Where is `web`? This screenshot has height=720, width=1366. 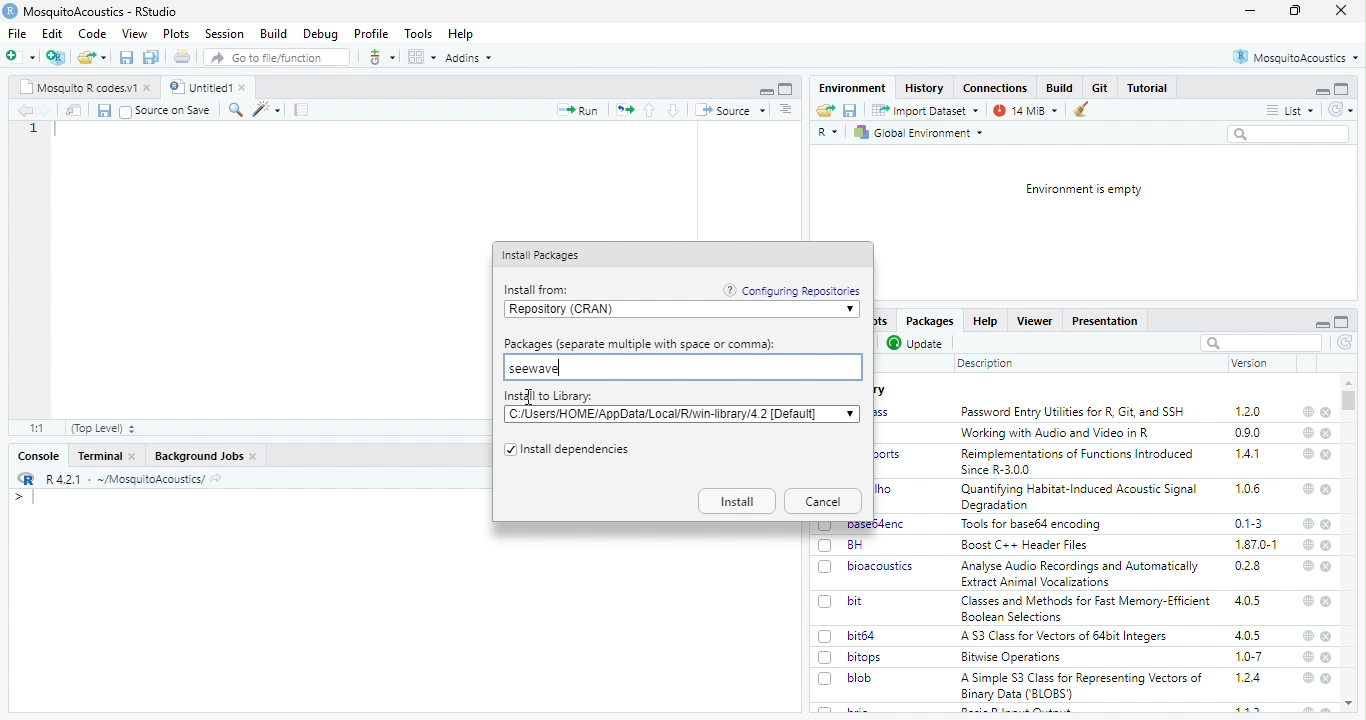 web is located at coordinates (1309, 678).